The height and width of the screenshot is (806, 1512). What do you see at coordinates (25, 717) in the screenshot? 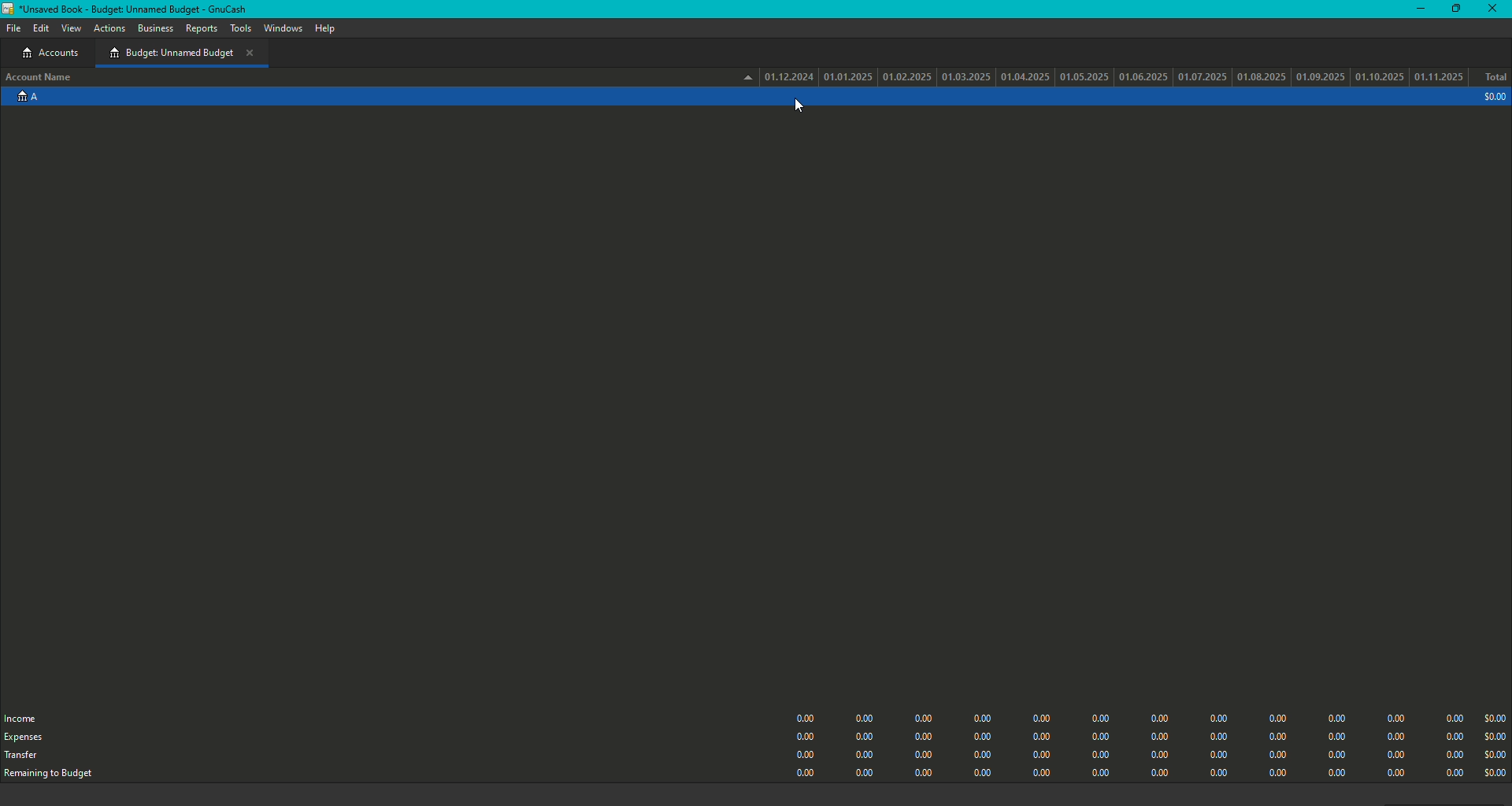
I see `Income` at bounding box center [25, 717].